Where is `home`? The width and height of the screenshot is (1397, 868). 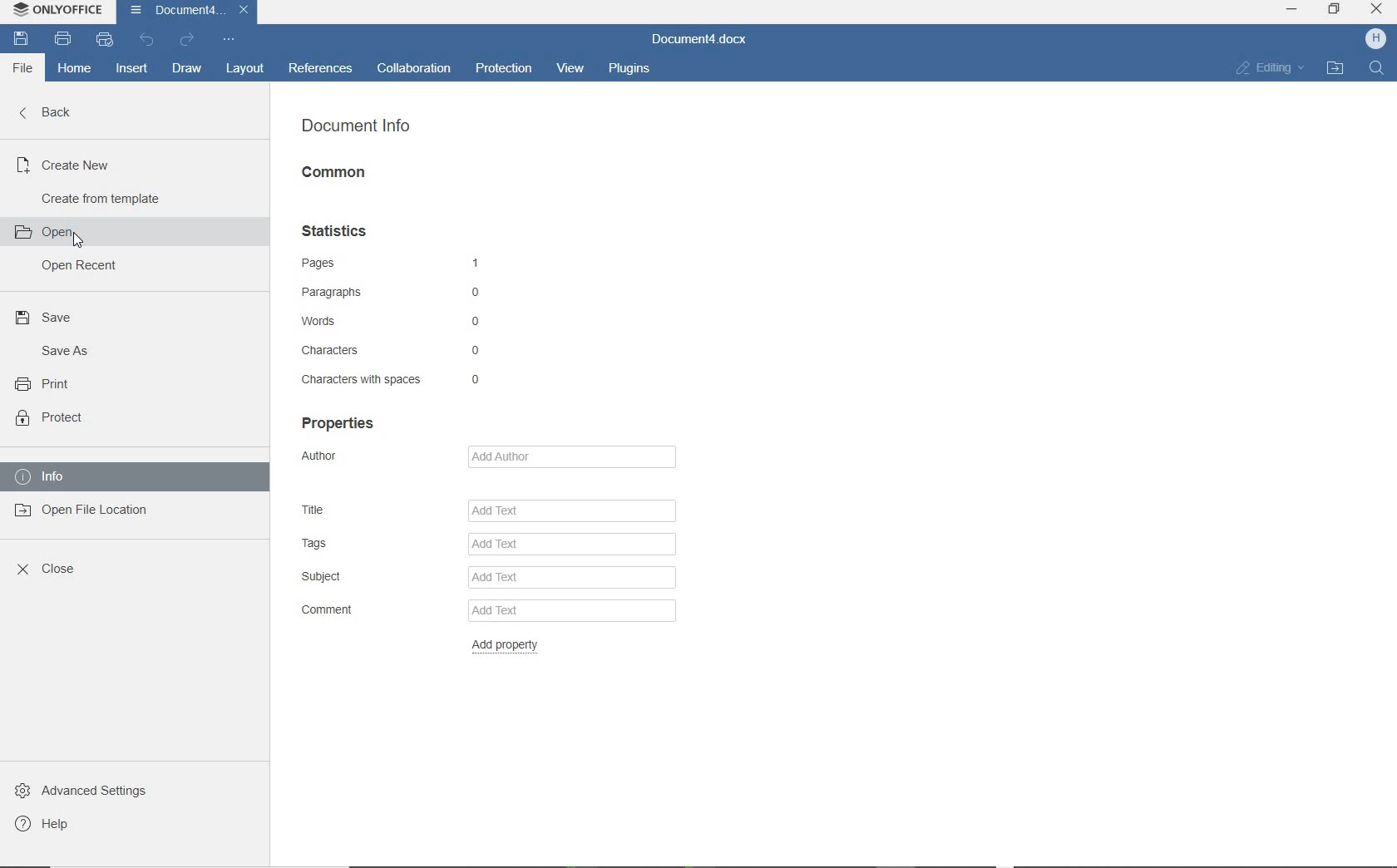
home is located at coordinates (74, 70).